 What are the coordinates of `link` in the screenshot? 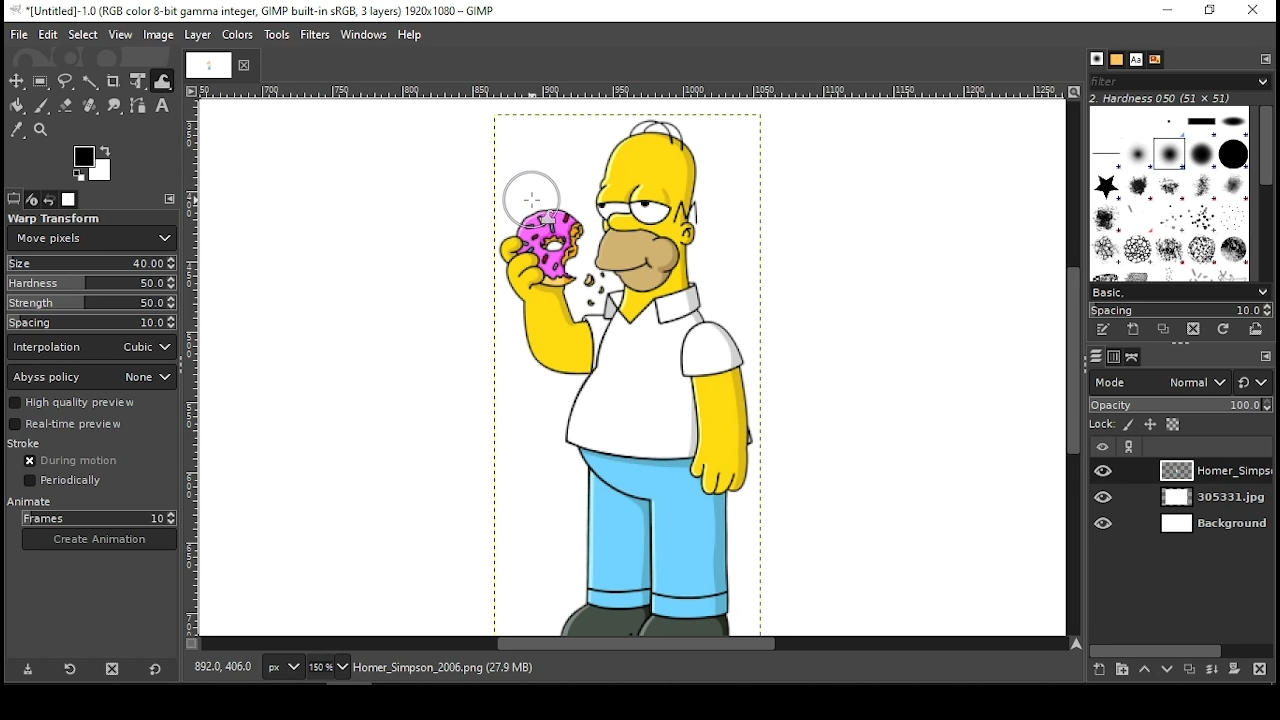 It's located at (1129, 447).